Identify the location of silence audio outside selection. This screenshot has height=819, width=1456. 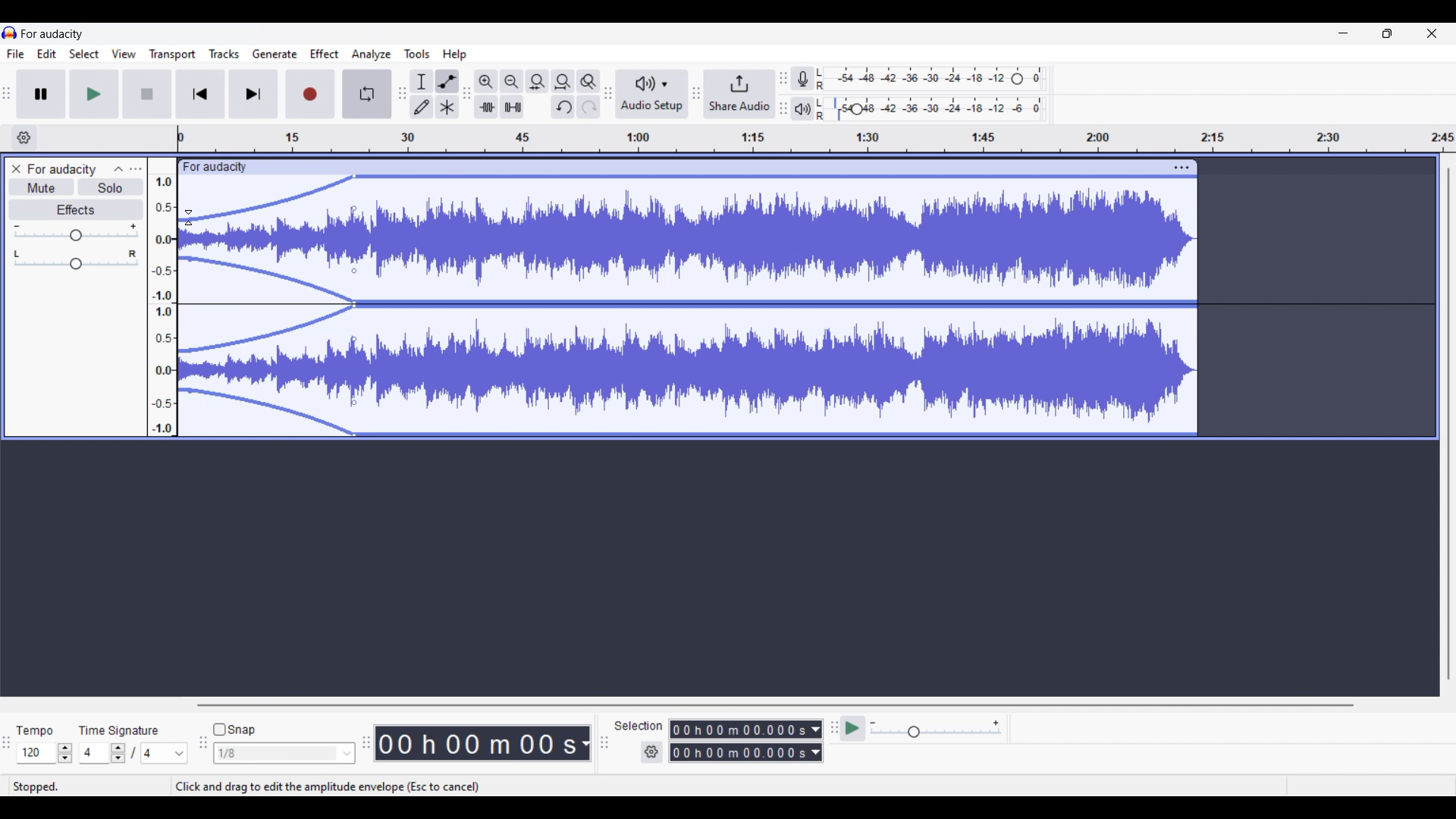
(514, 107).